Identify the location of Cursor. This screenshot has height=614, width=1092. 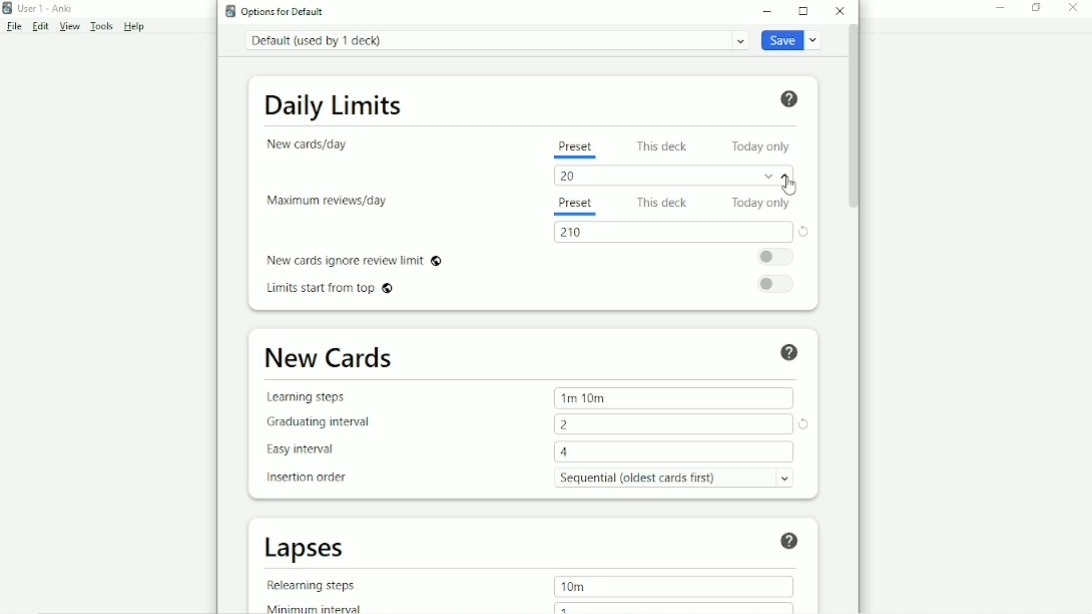
(788, 187).